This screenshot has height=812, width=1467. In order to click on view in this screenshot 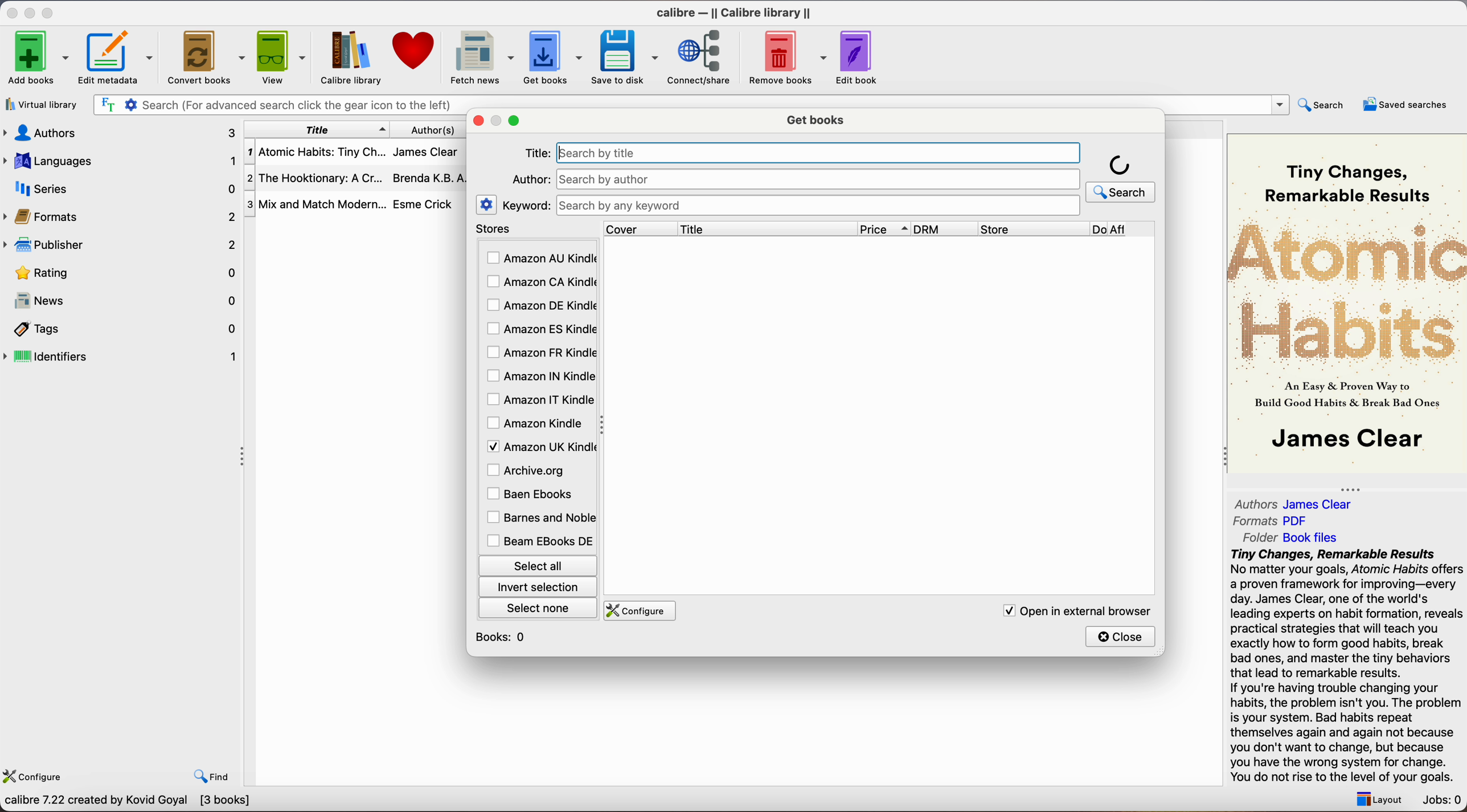, I will do `click(283, 56)`.